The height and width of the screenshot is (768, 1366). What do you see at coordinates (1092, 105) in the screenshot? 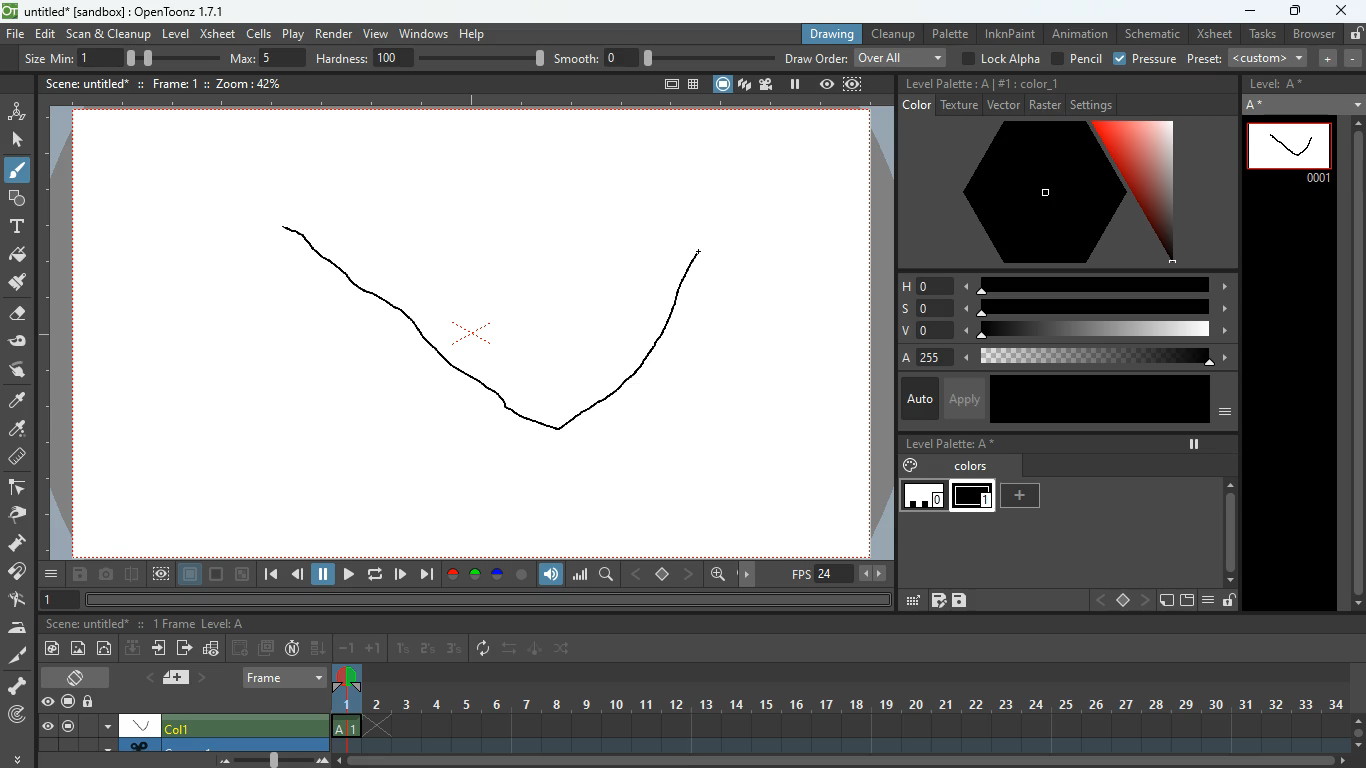
I see `Settings` at bounding box center [1092, 105].